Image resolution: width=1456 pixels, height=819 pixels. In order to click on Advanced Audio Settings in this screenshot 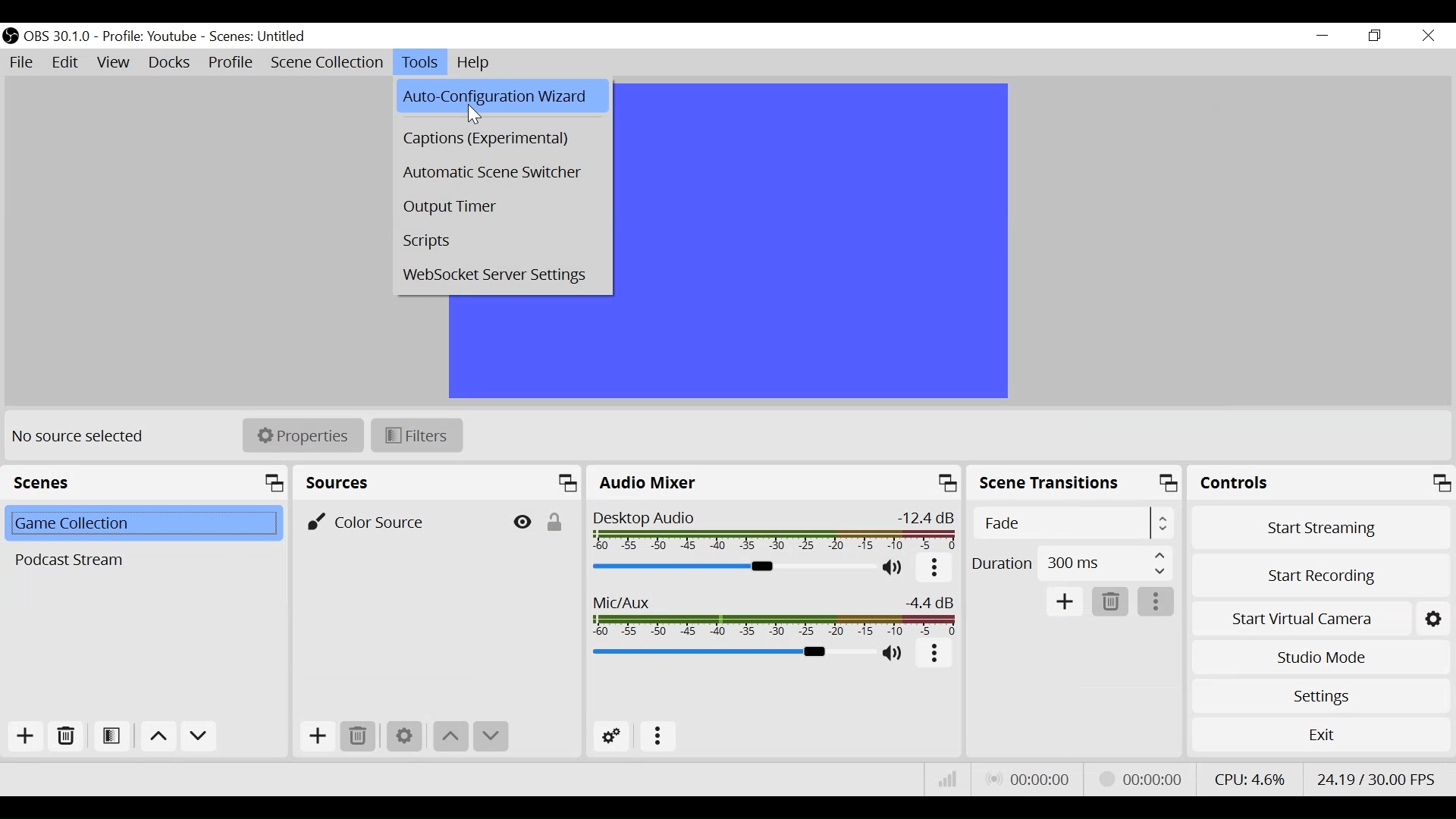, I will do `click(609, 736)`.